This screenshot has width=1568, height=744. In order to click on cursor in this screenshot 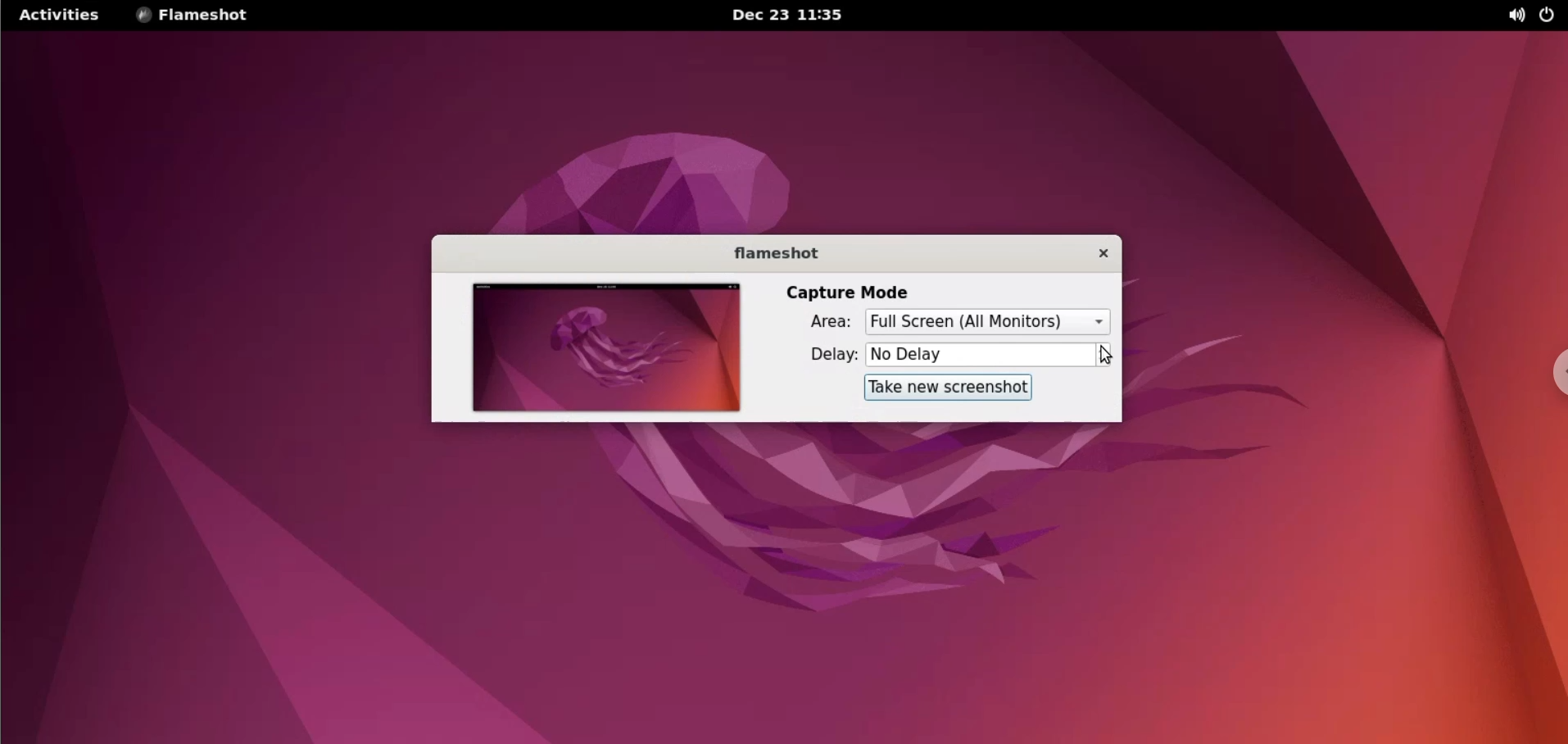, I will do `click(1108, 356)`.